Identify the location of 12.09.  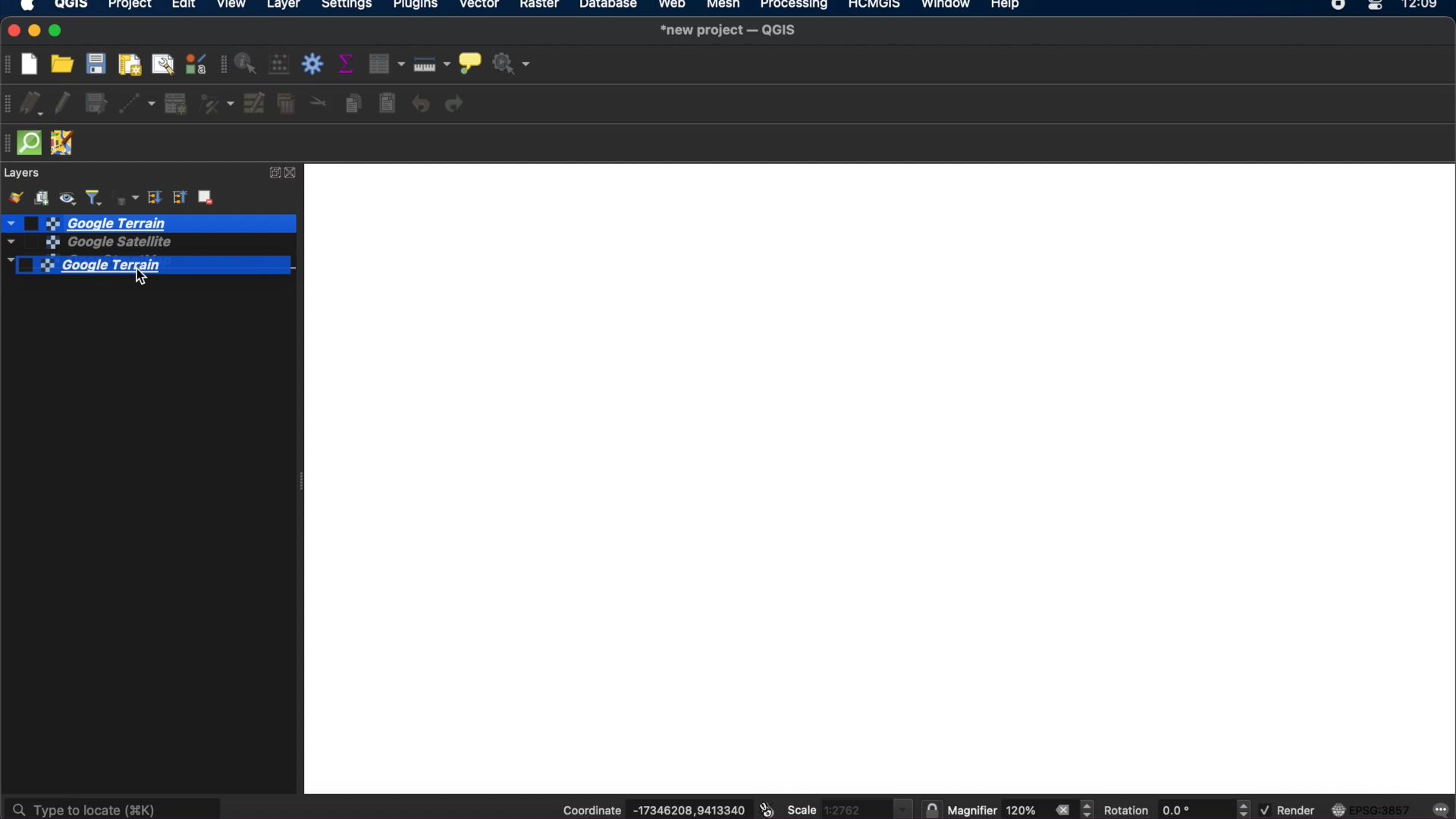
(1426, 6).